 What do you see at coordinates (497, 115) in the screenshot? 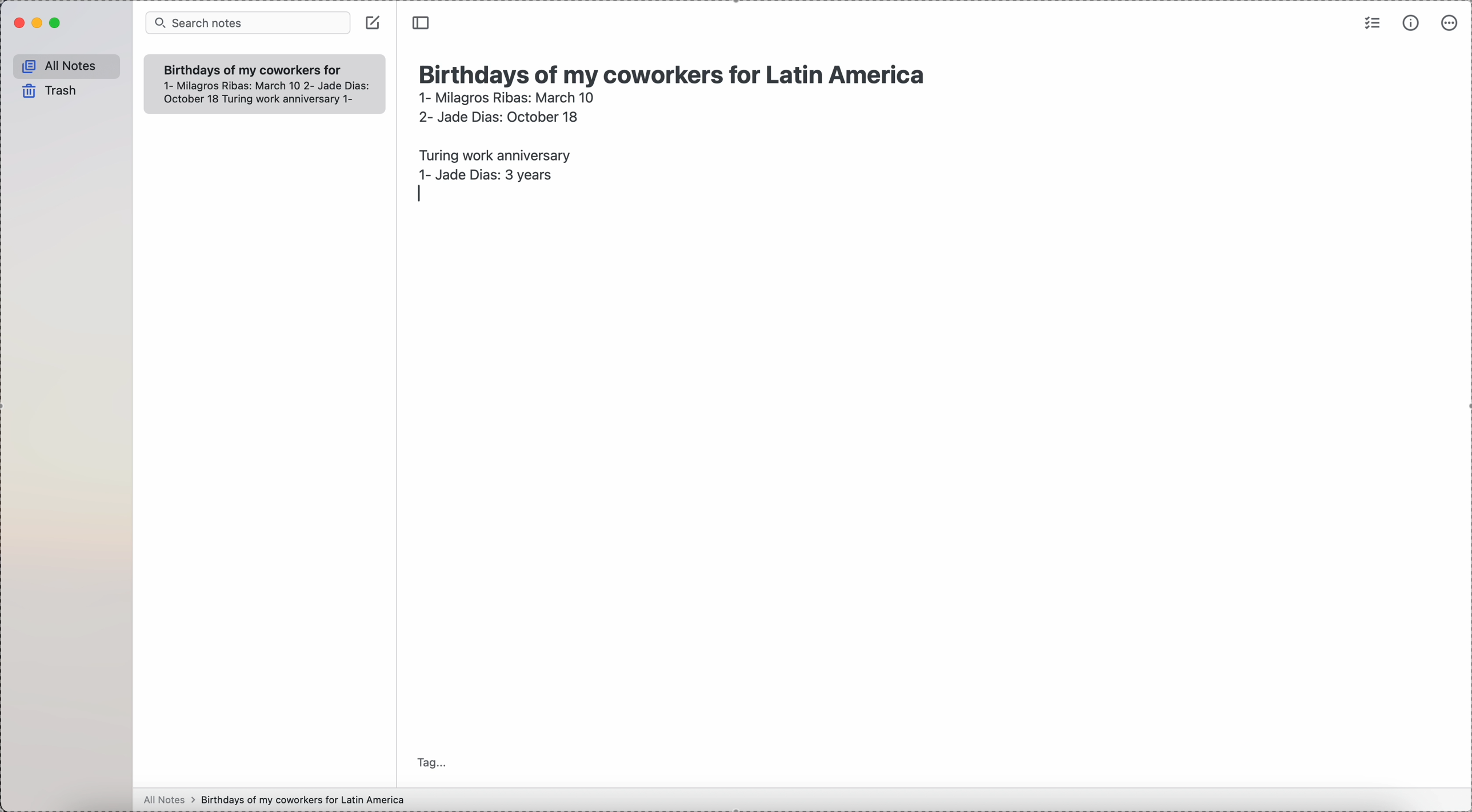
I see `2- Jade Dias: October 18` at bounding box center [497, 115].